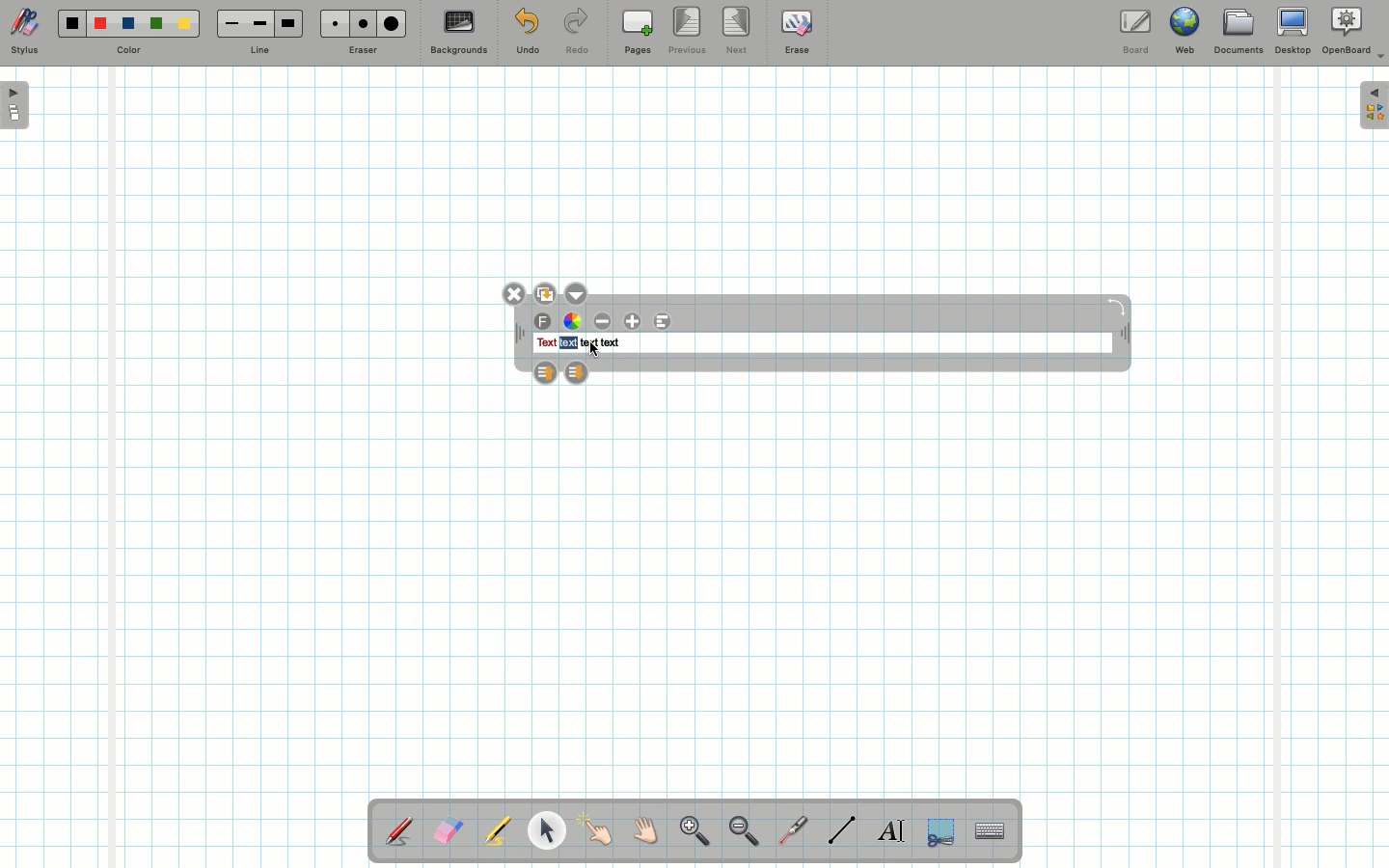  What do you see at coordinates (635, 321) in the screenshot?
I see `Increase font size` at bounding box center [635, 321].